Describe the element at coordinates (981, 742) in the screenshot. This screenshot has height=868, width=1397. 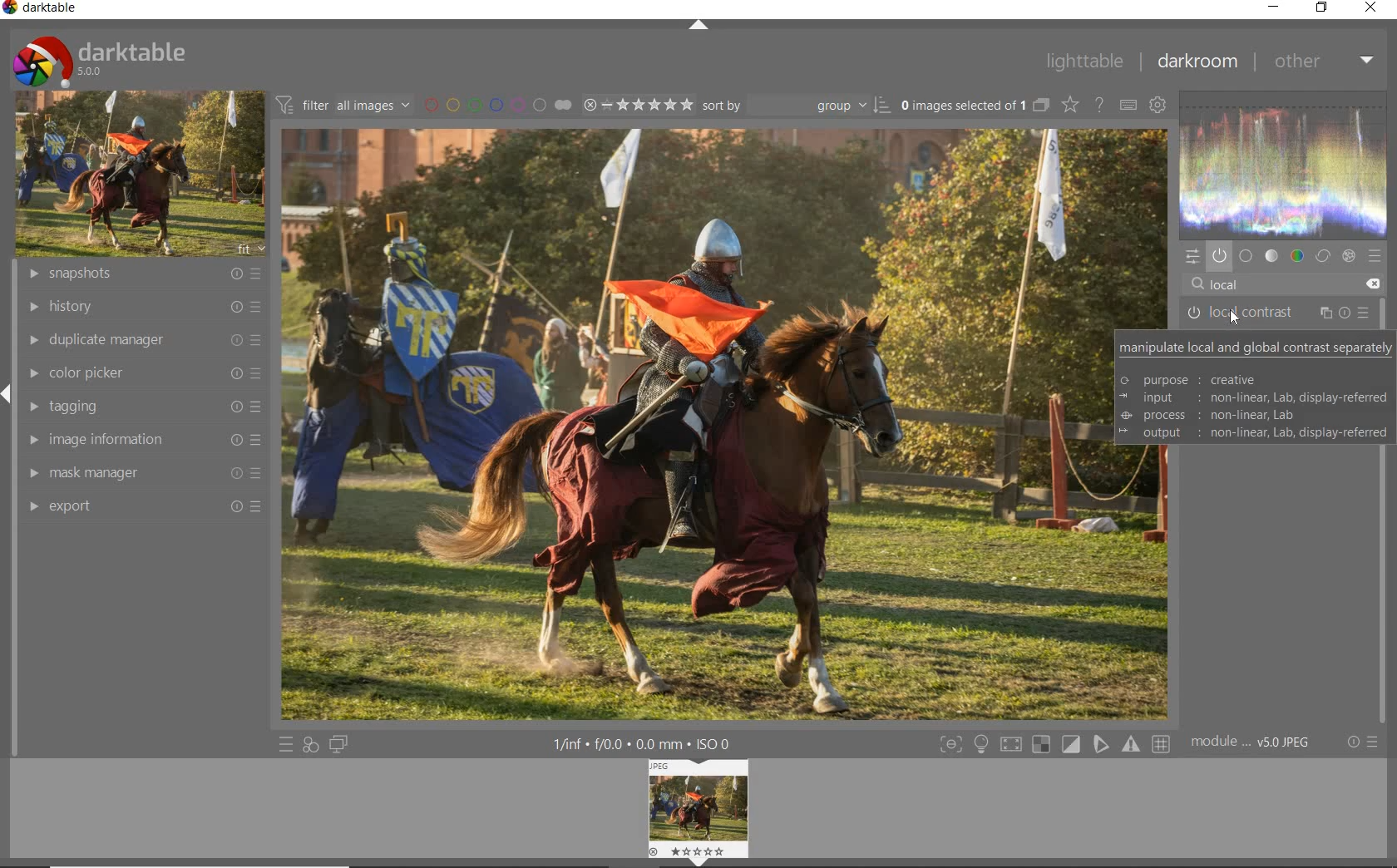
I see `toggle modes` at that location.